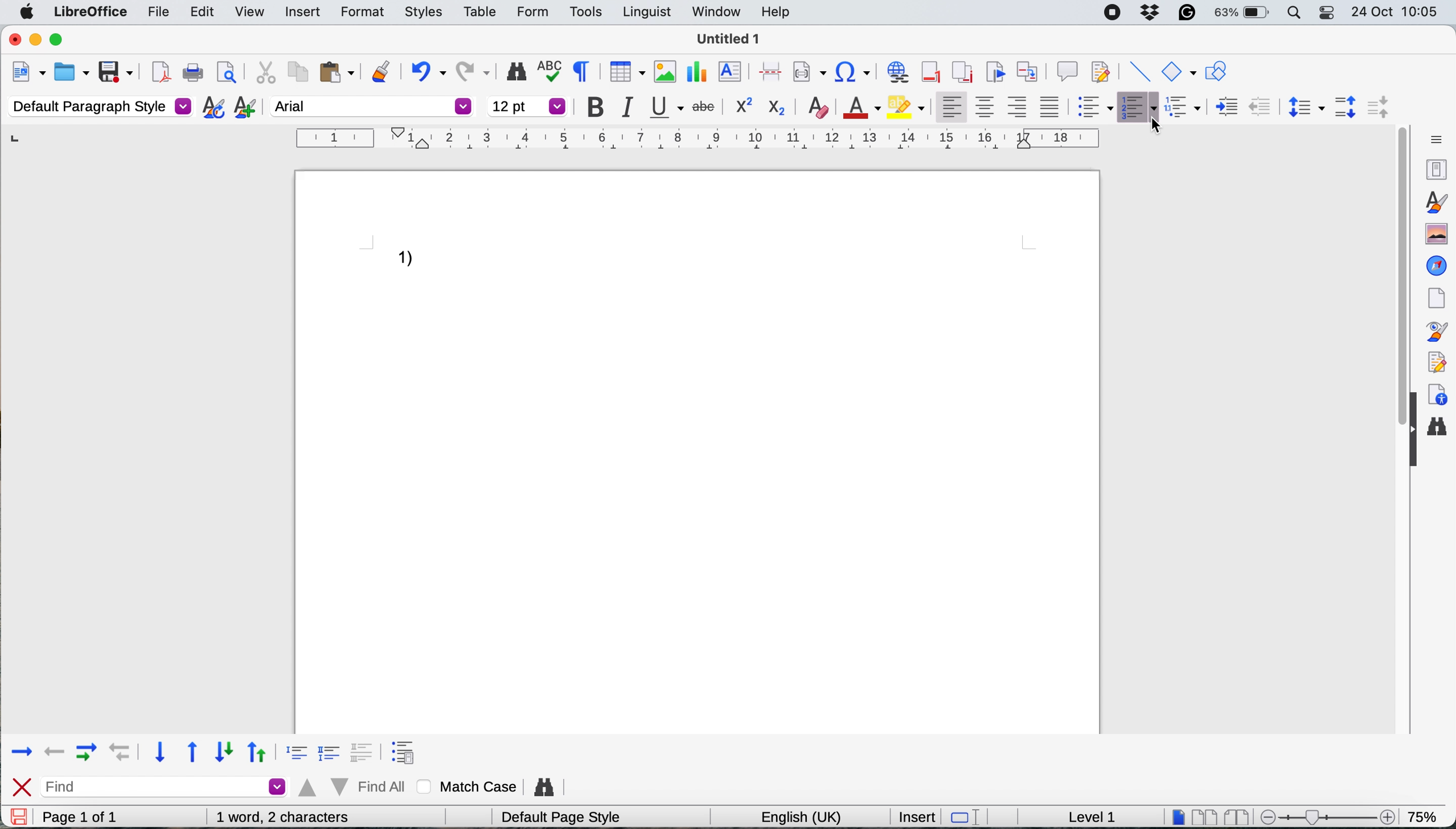 This screenshot has height=829, width=1456. Describe the element at coordinates (1346, 107) in the screenshot. I see `increase paragraph spacing` at that location.